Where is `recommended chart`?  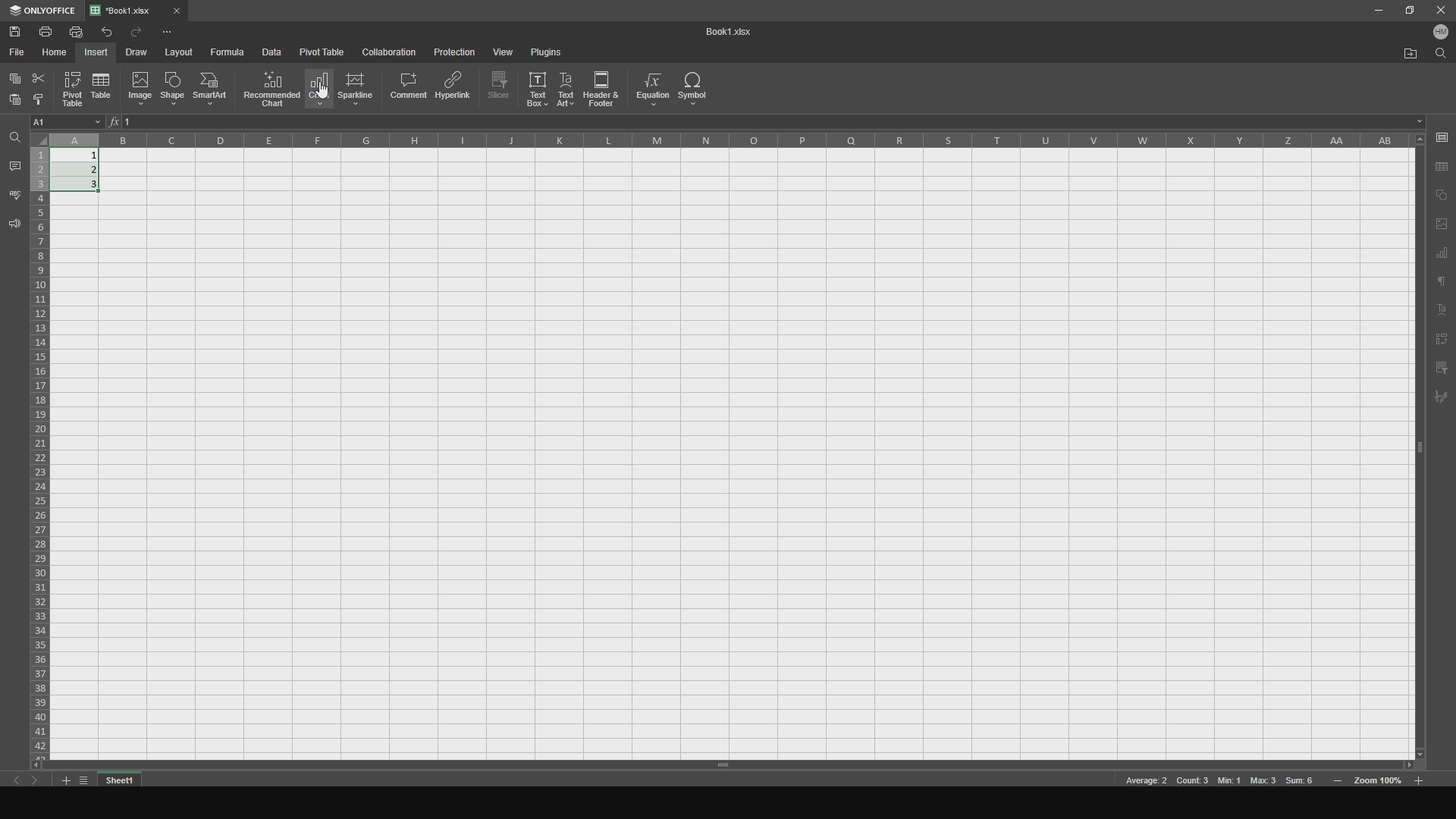
recommended chart is located at coordinates (268, 91).